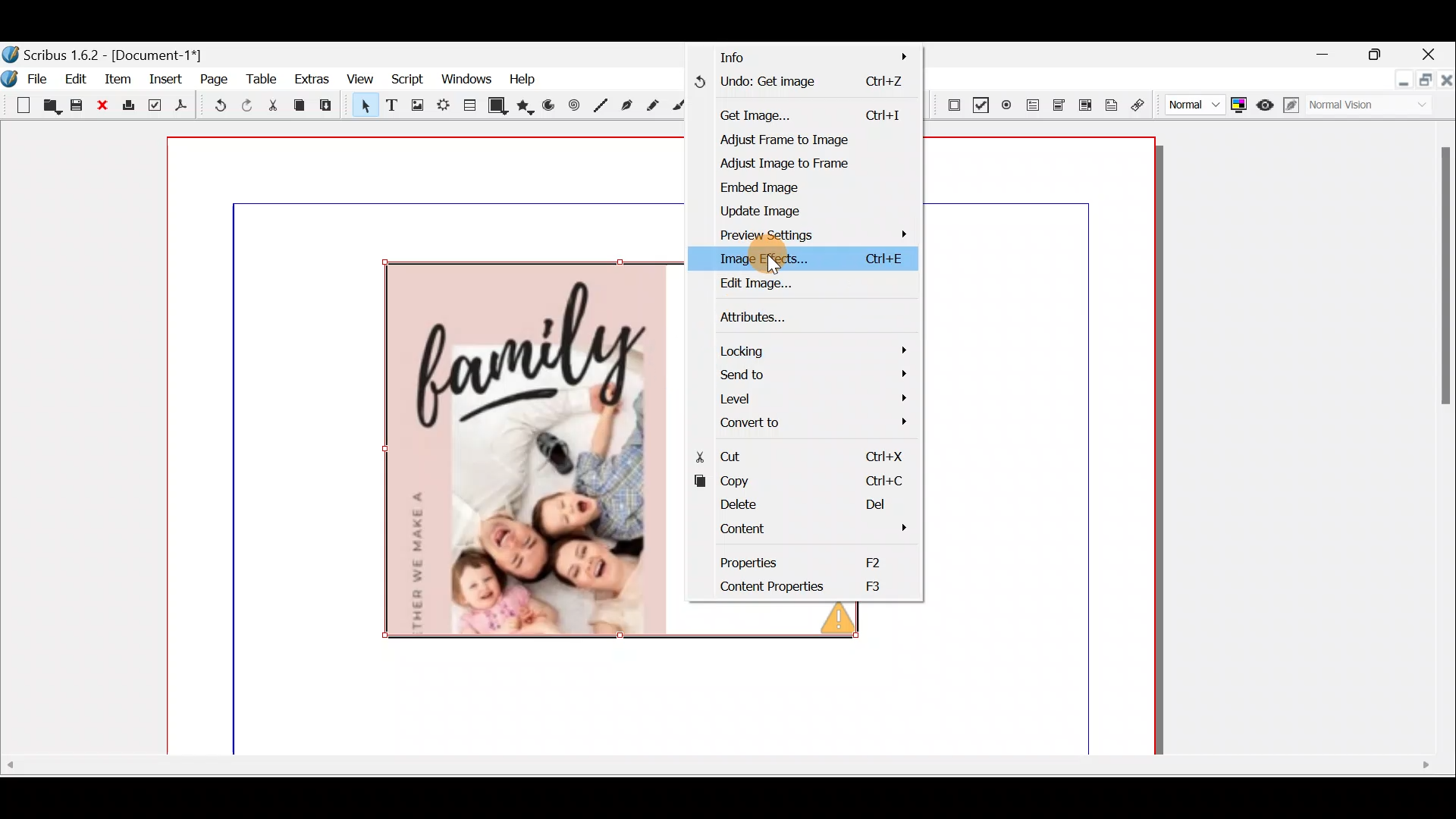 The width and height of the screenshot is (1456, 819). I want to click on cursor, so click(771, 260).